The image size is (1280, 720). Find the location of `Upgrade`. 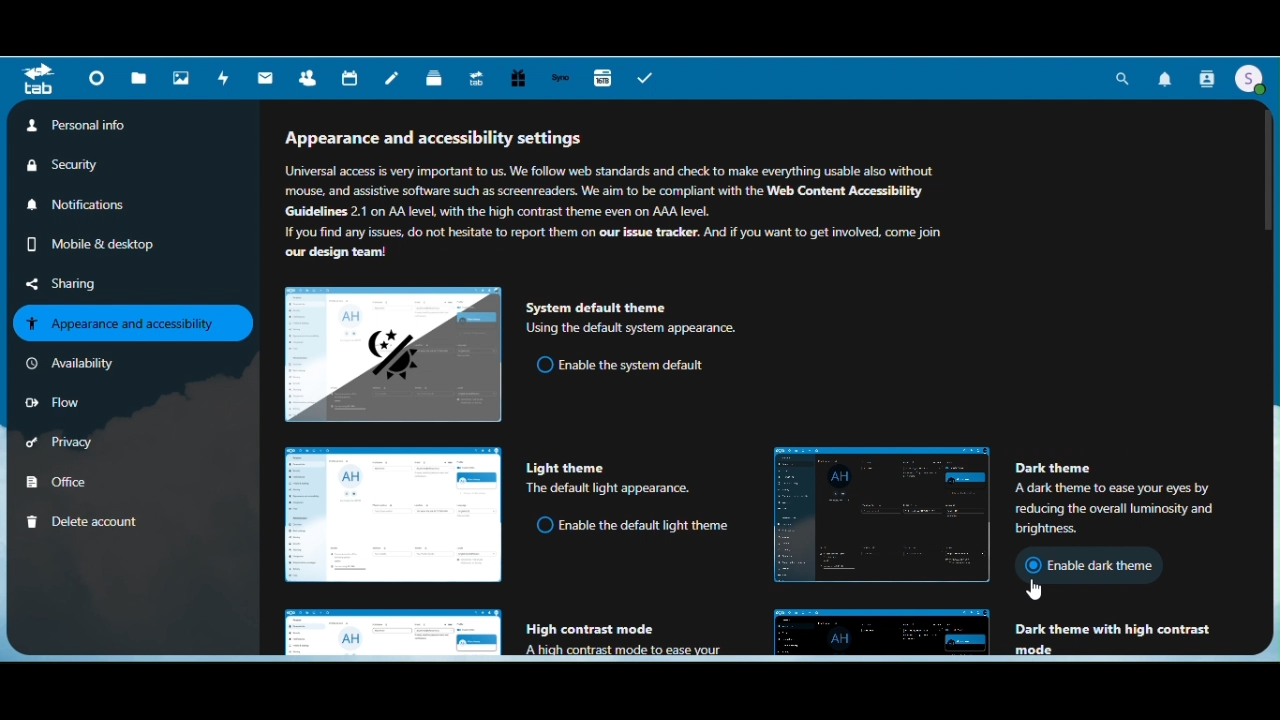

Upgrade is located at coordinates (480, 79).